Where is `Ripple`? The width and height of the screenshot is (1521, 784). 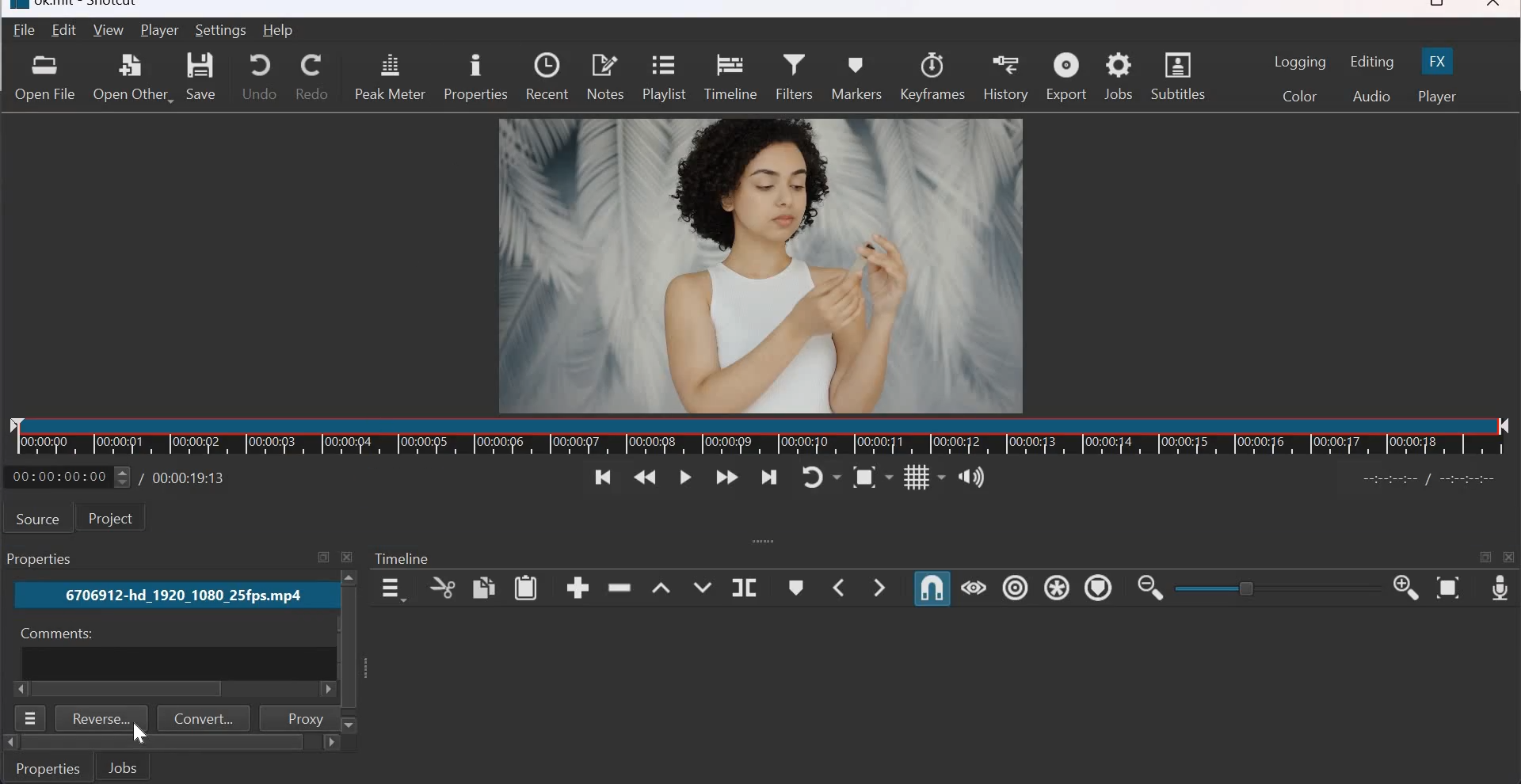 Ripple is located at coordinates (1015, 588).